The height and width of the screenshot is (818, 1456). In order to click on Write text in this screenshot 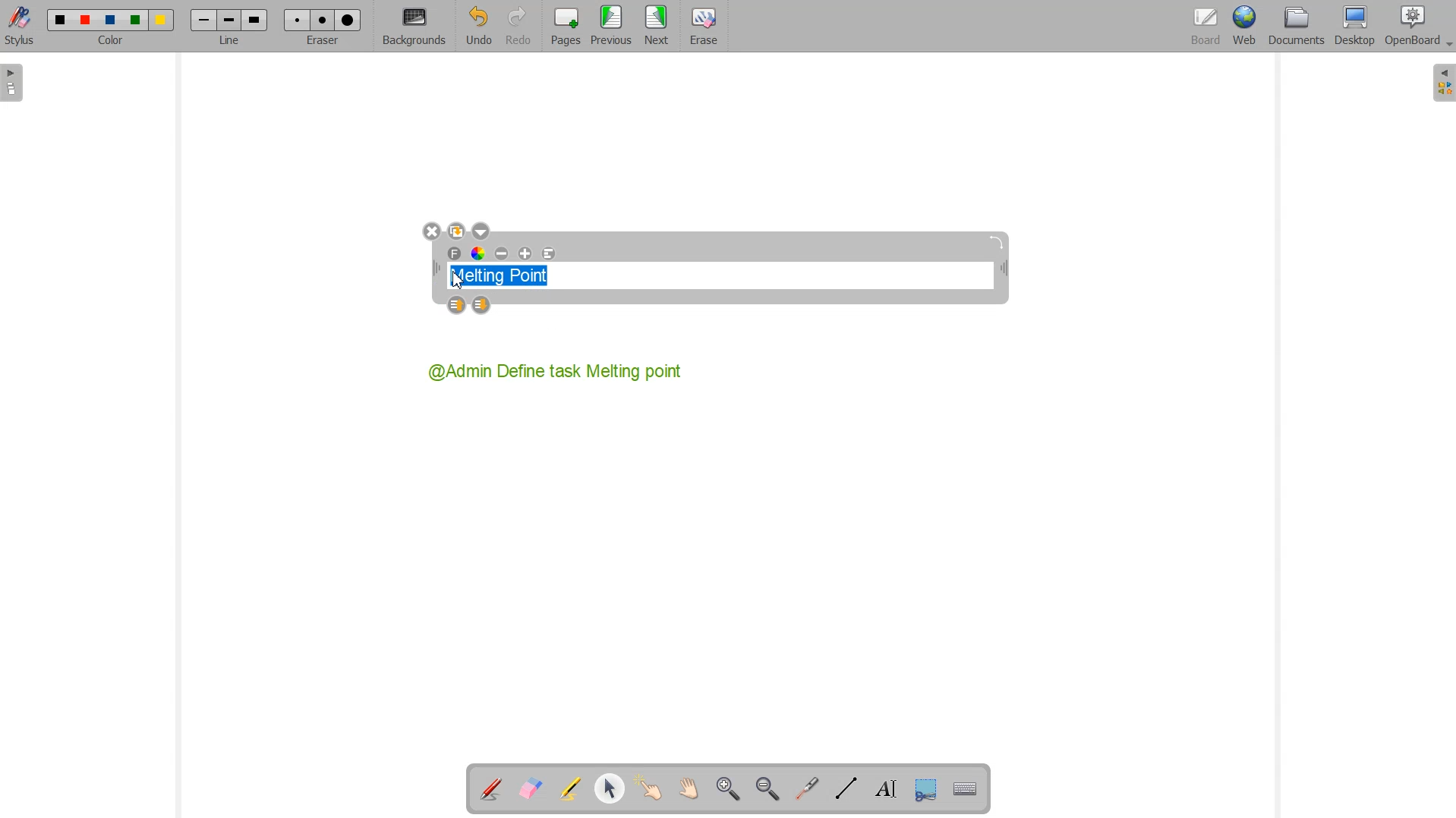, I will do `click(882, 787)`.